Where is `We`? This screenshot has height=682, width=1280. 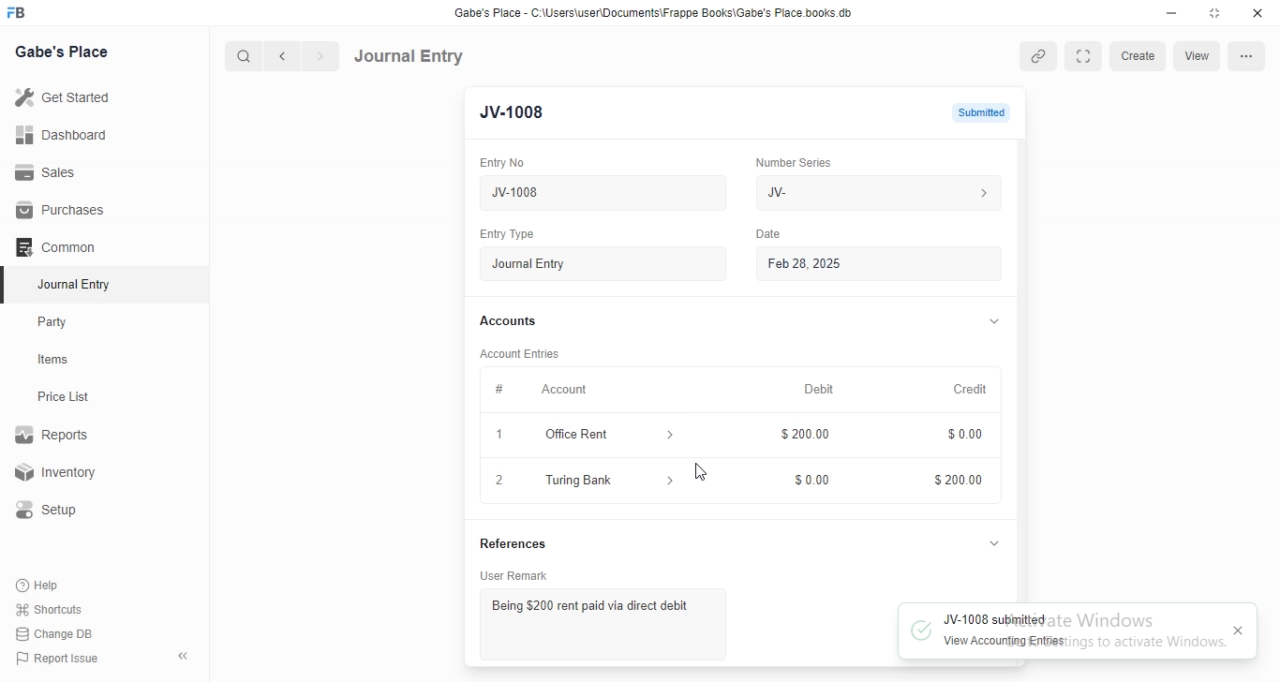 We is located at coordinates (815, 191).